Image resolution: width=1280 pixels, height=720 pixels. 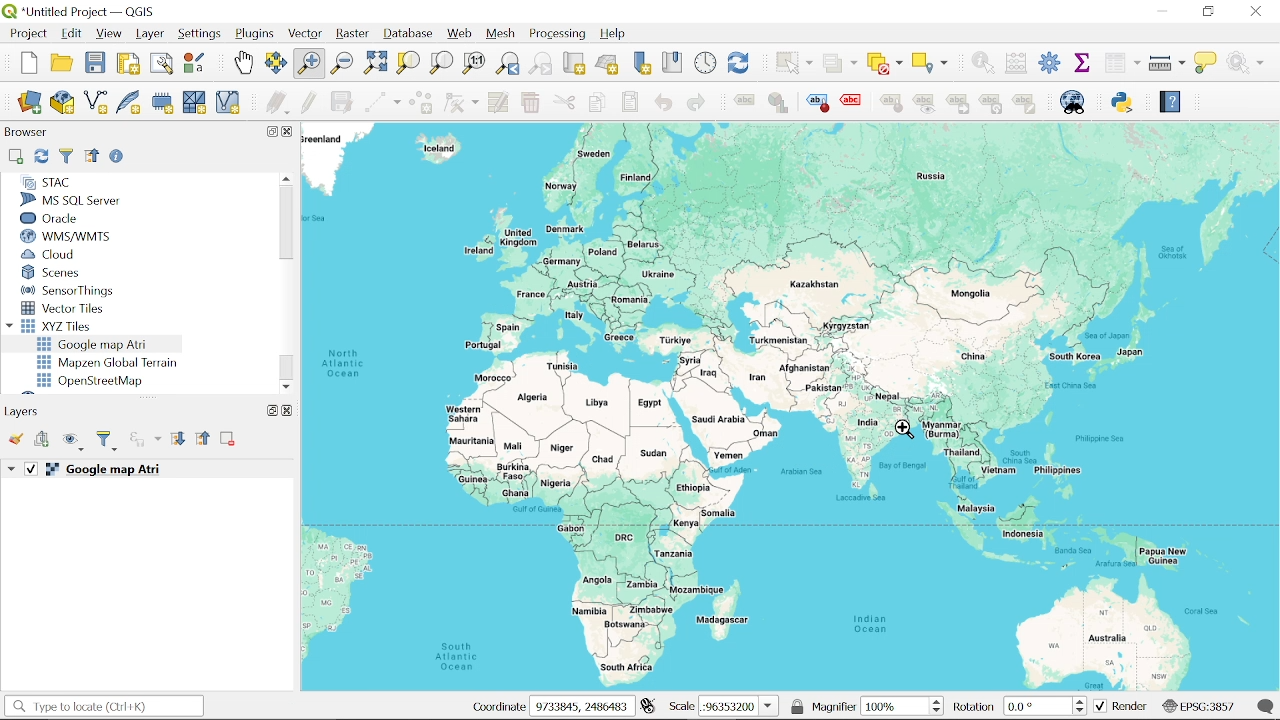 I want to click on Google map Atri, so click(x=96, y=344).